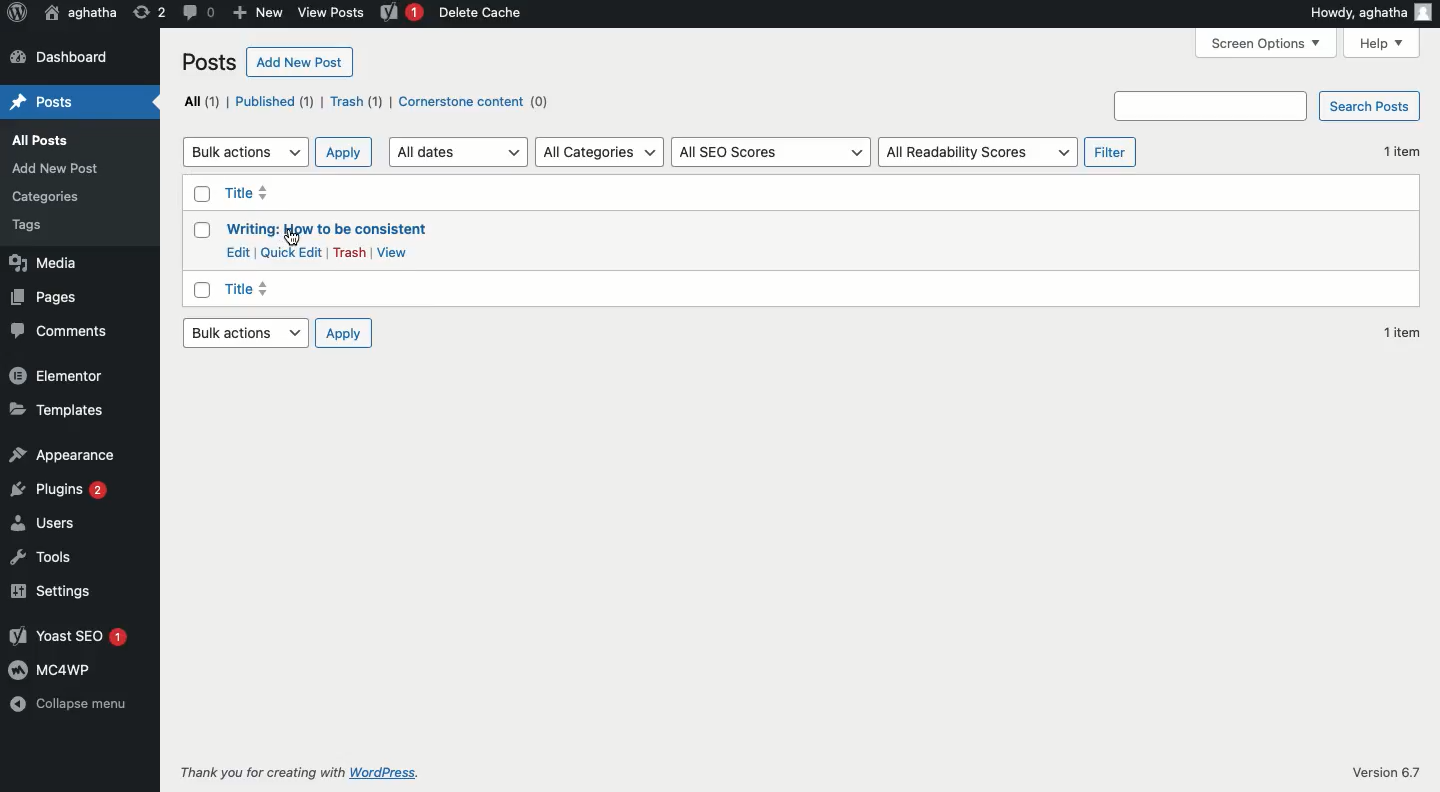  I want to click on All SEO scores, so click(771, 151).